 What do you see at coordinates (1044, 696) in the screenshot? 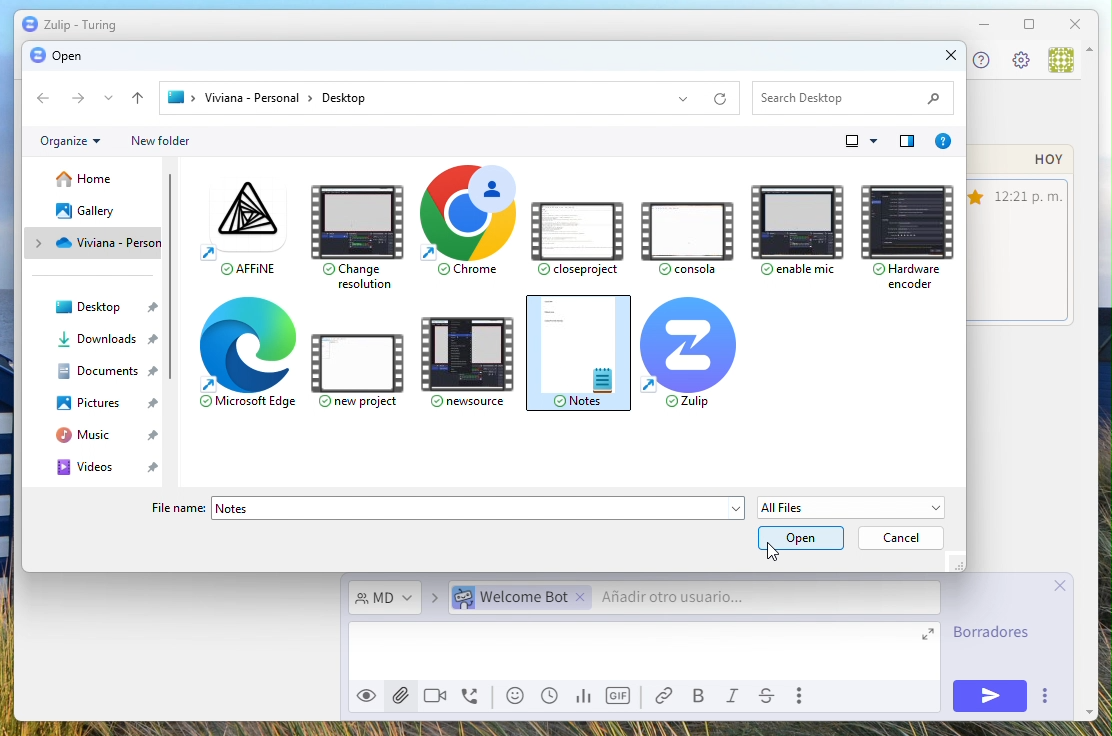
I see `more` at bounding box center [1044, 696].